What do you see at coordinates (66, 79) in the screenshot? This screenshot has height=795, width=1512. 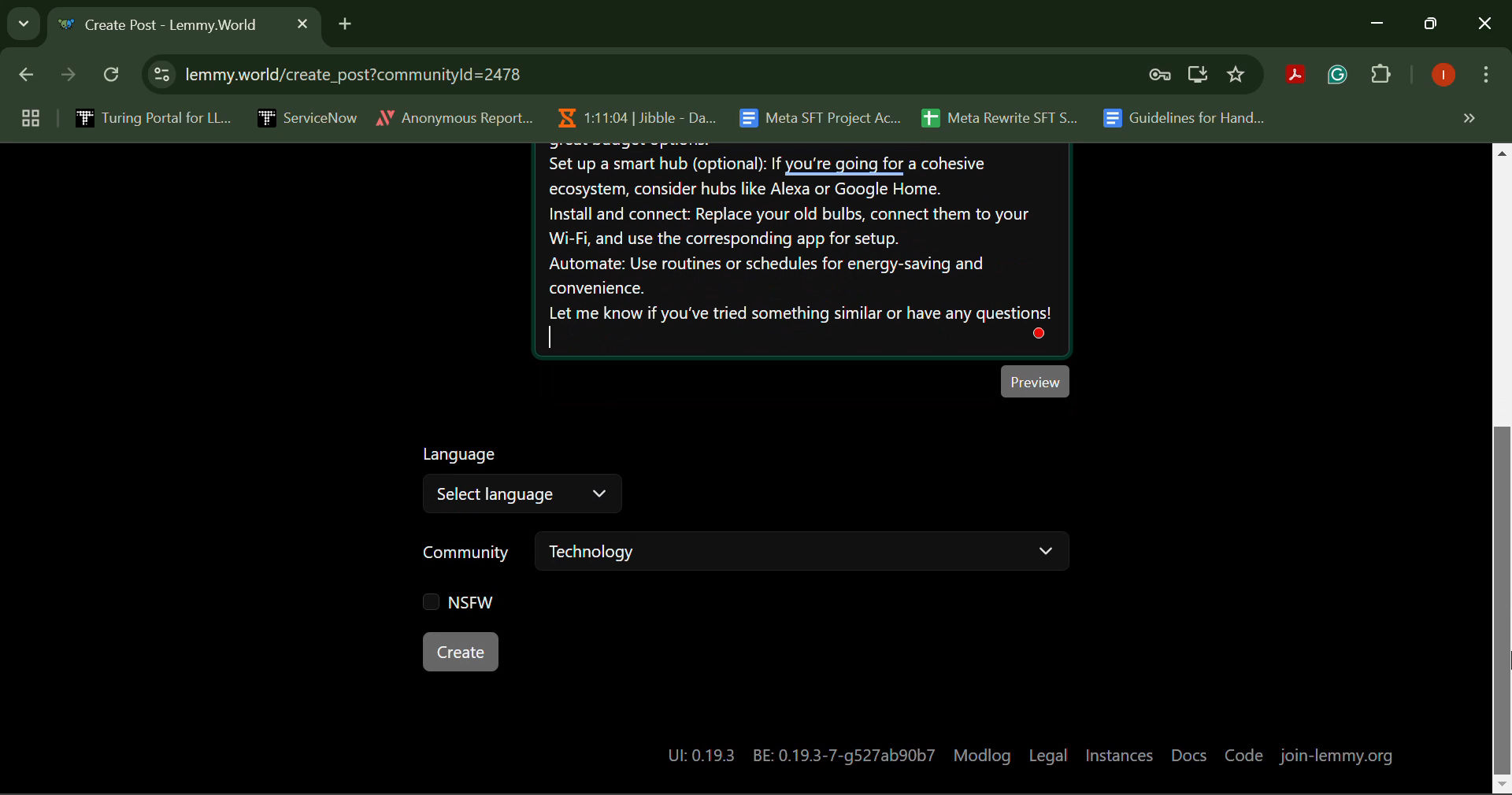 I see `Next Page ` at bounding box center [66, 79].